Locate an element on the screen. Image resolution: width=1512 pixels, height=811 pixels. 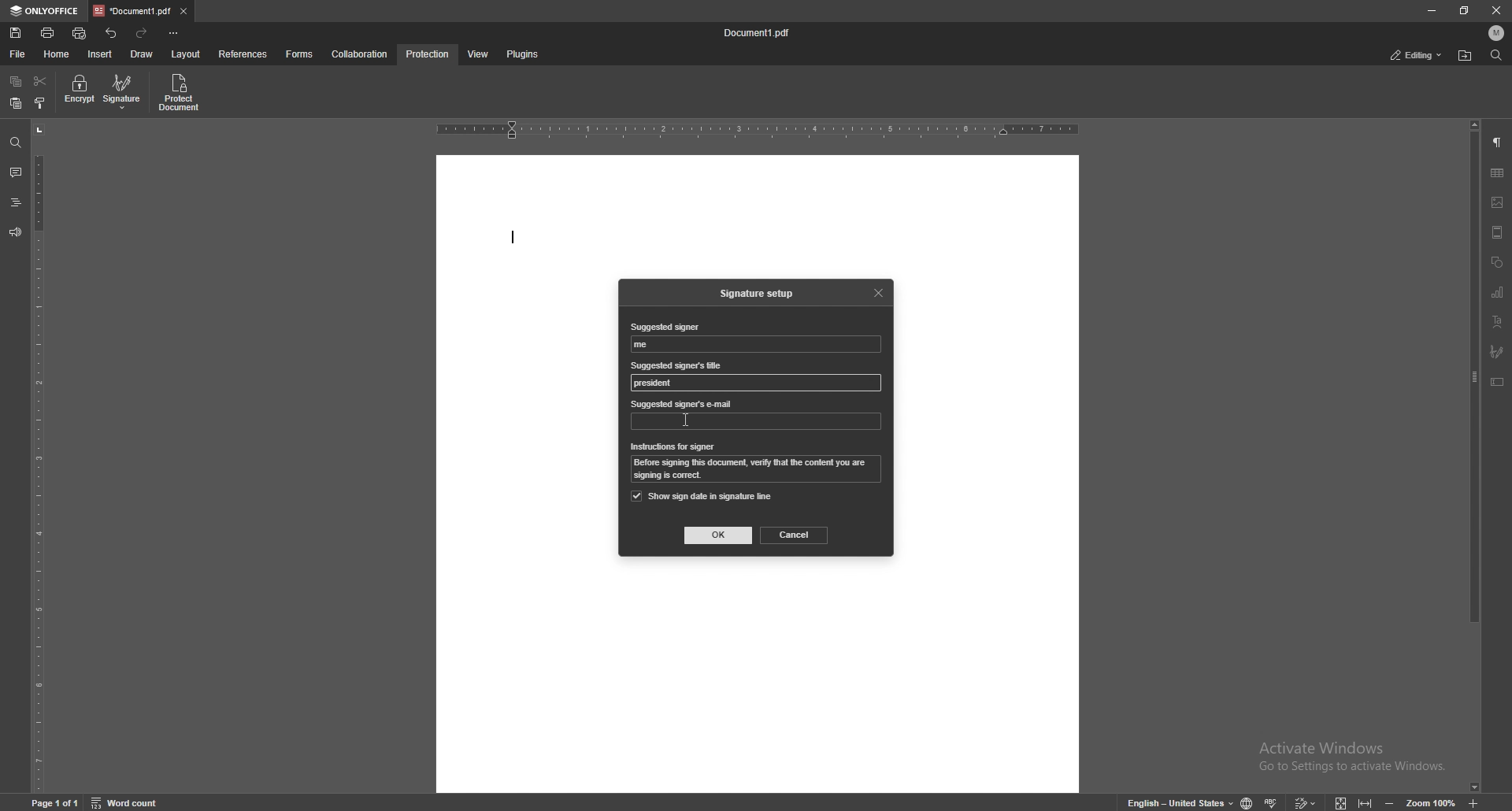
shapes is located at coordinates (1496, 263).